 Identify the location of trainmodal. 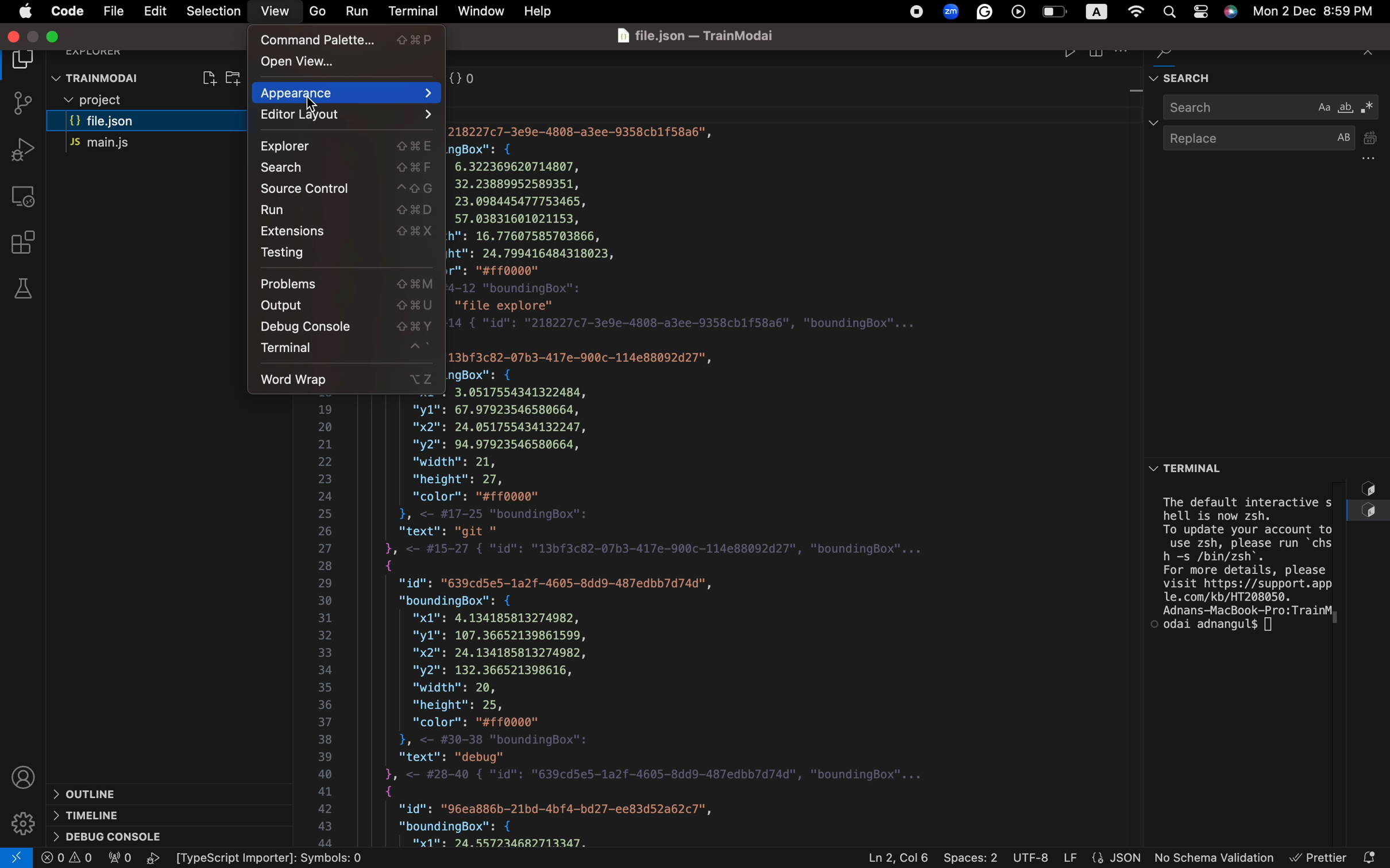
(99, 76).